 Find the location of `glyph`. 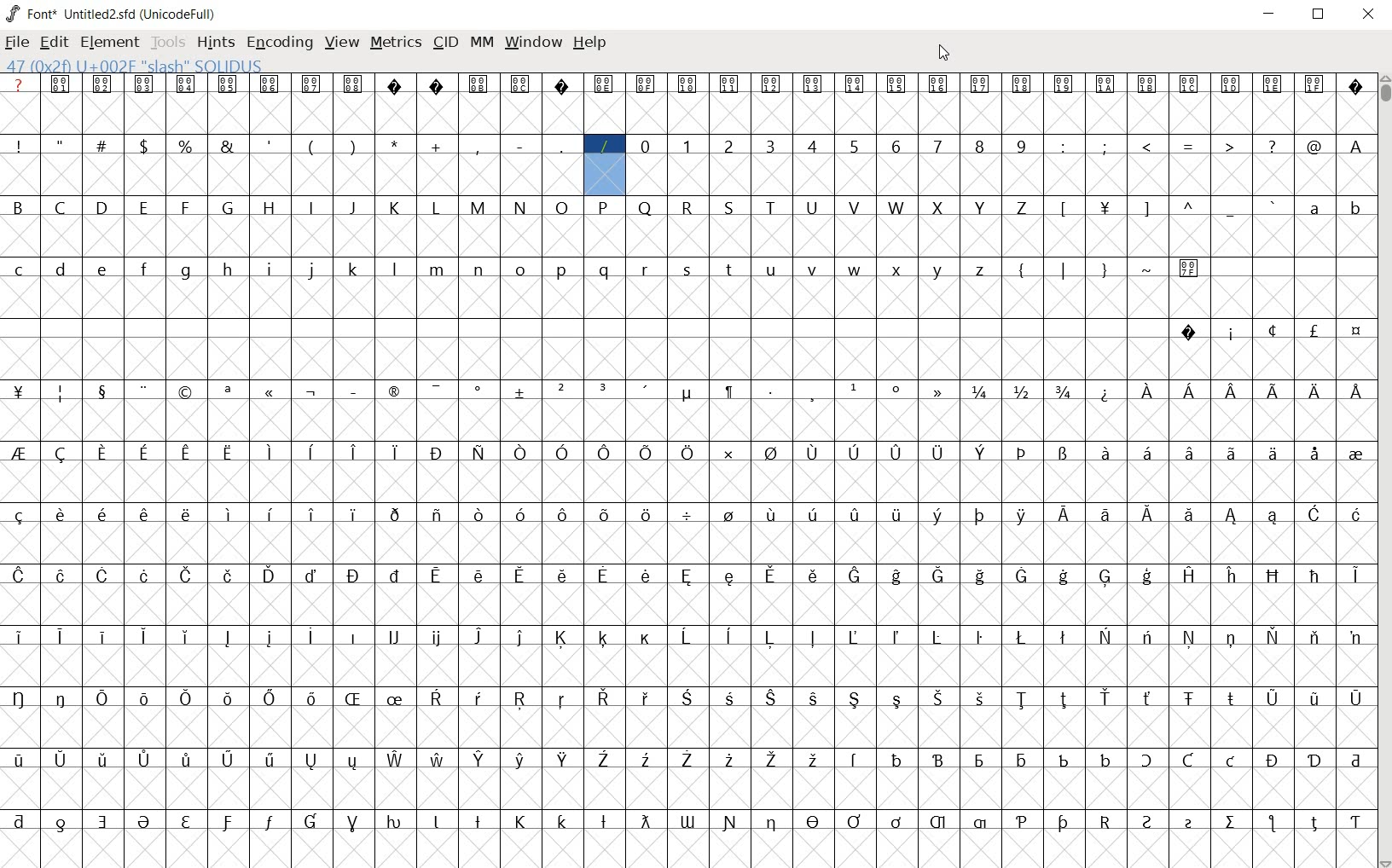

glyph is located at coordinates (1231, 639).